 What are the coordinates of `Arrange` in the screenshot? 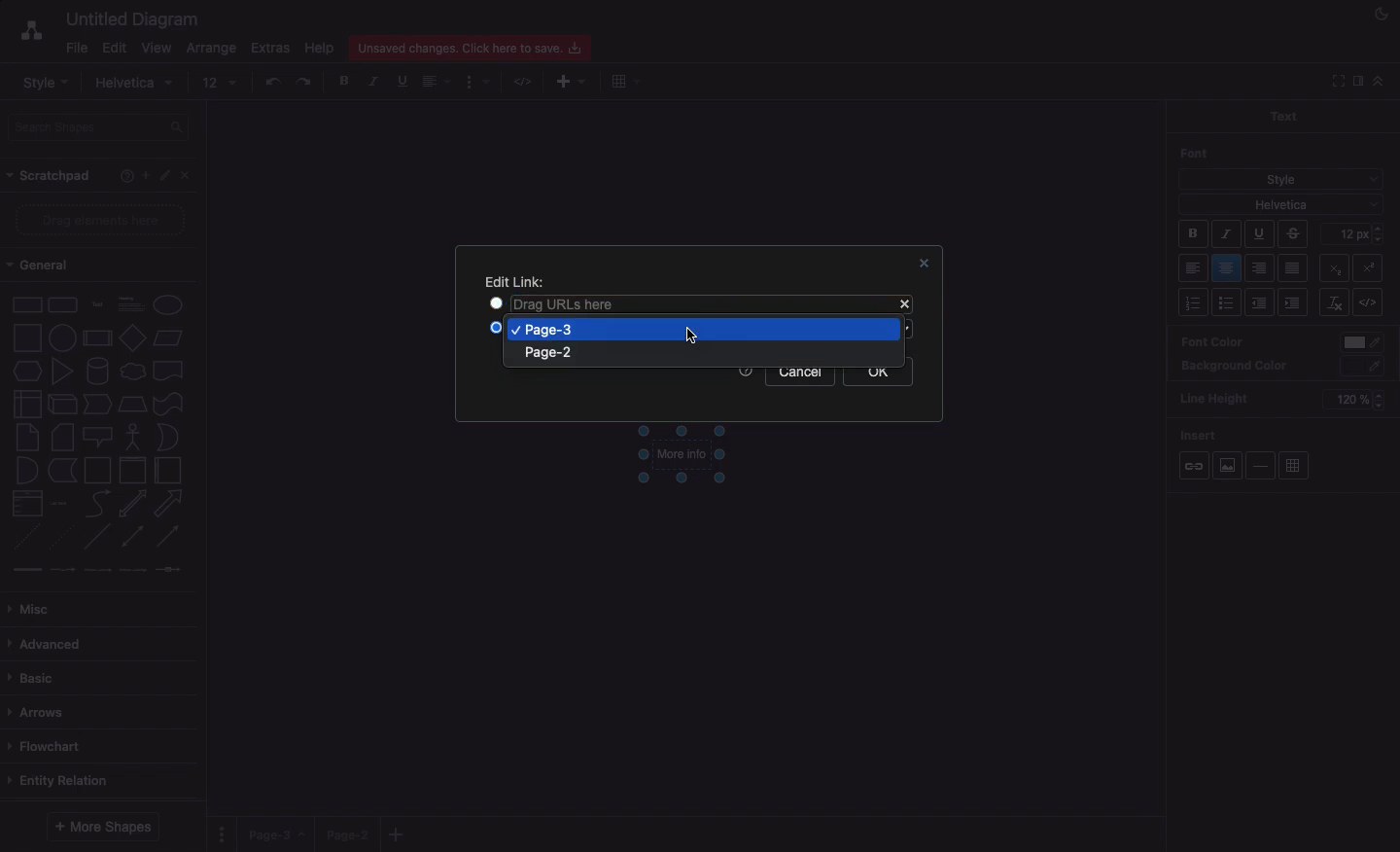 It's located at (208, 49).